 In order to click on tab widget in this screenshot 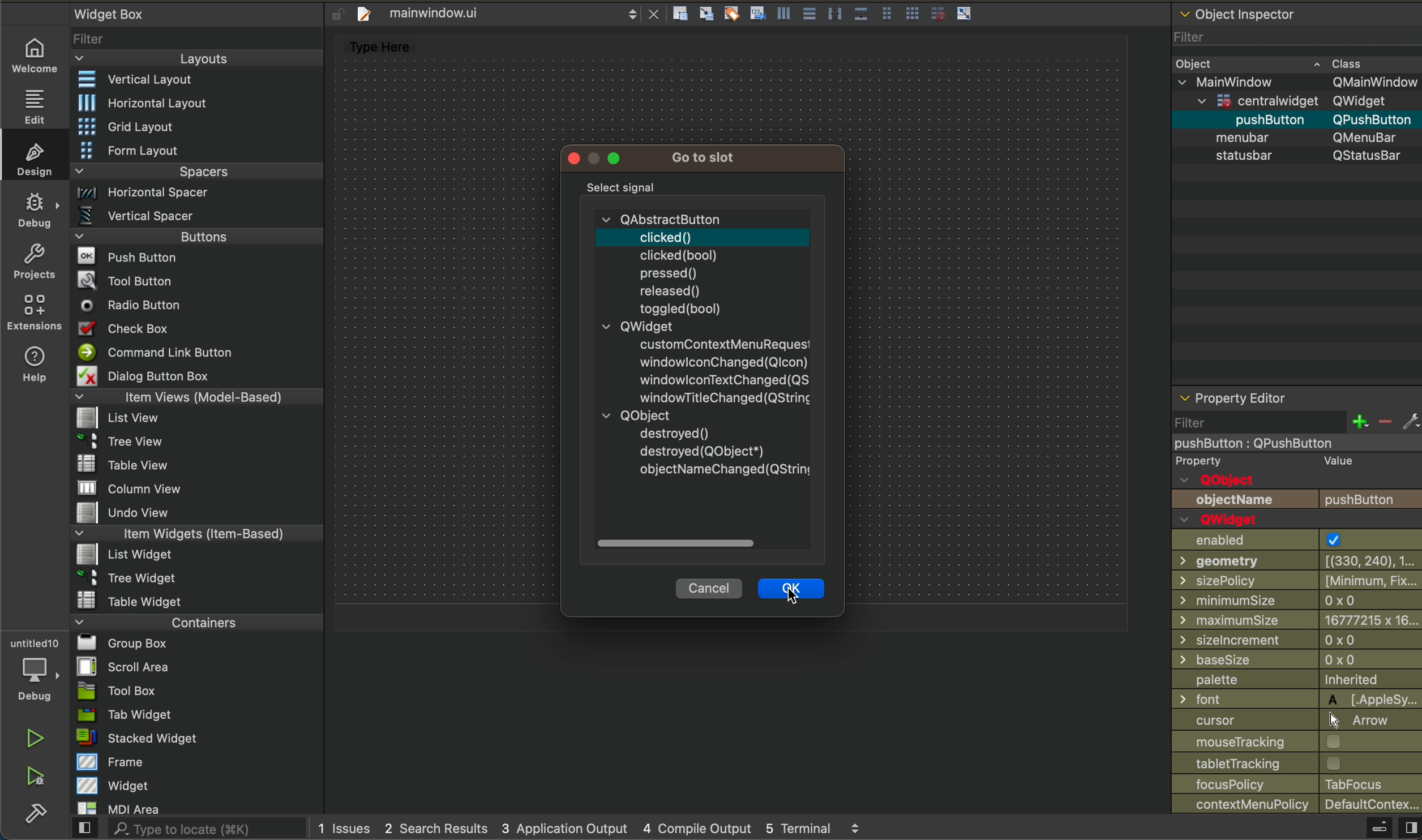, I will do `click(194, 717)`.